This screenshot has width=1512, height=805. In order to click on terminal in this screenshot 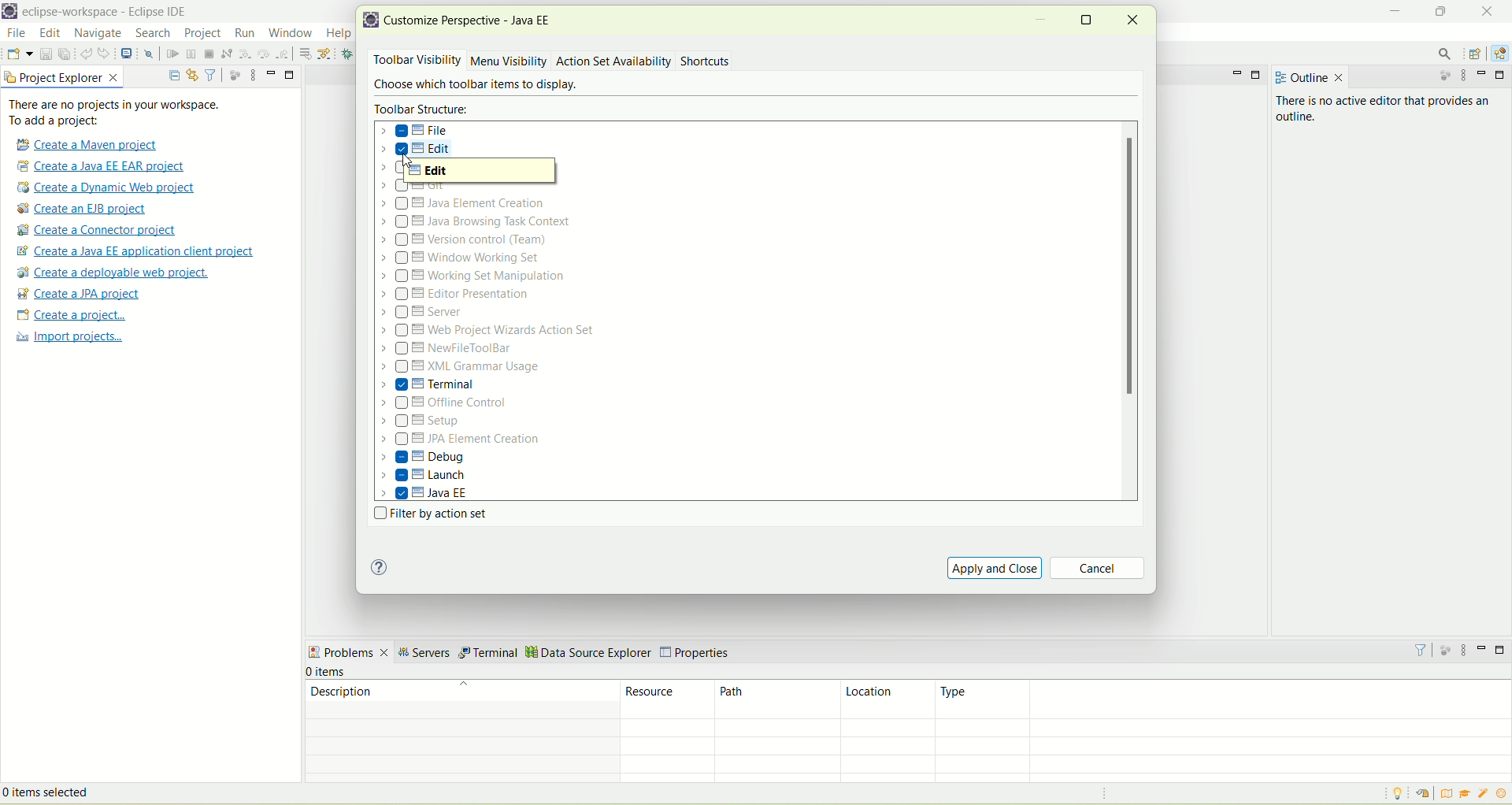, I will do `click(488, 653)`.